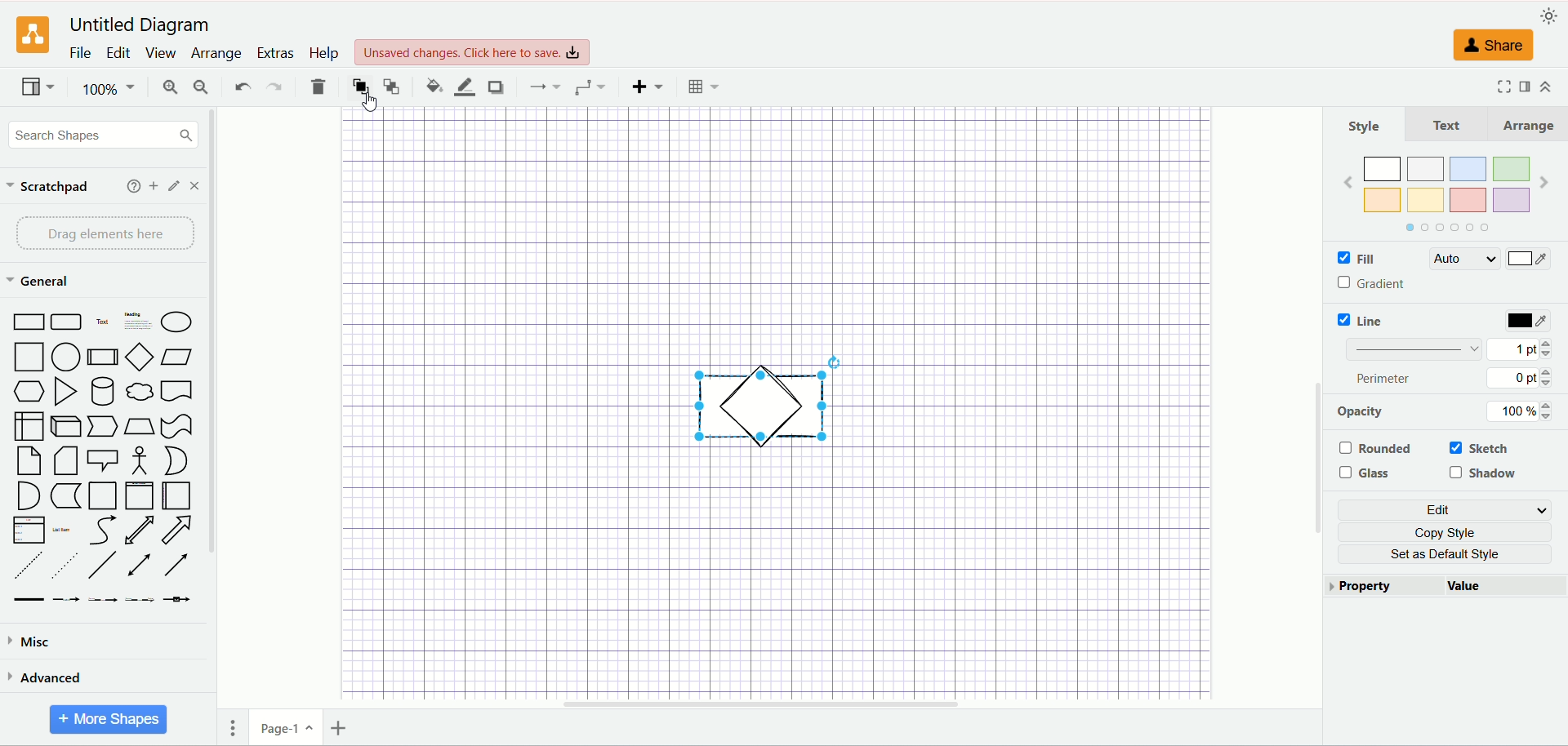  What do you see at coordinates (25, 426) in the screenshot?
I see `Internal Storage` at bounding box center [25, 426].